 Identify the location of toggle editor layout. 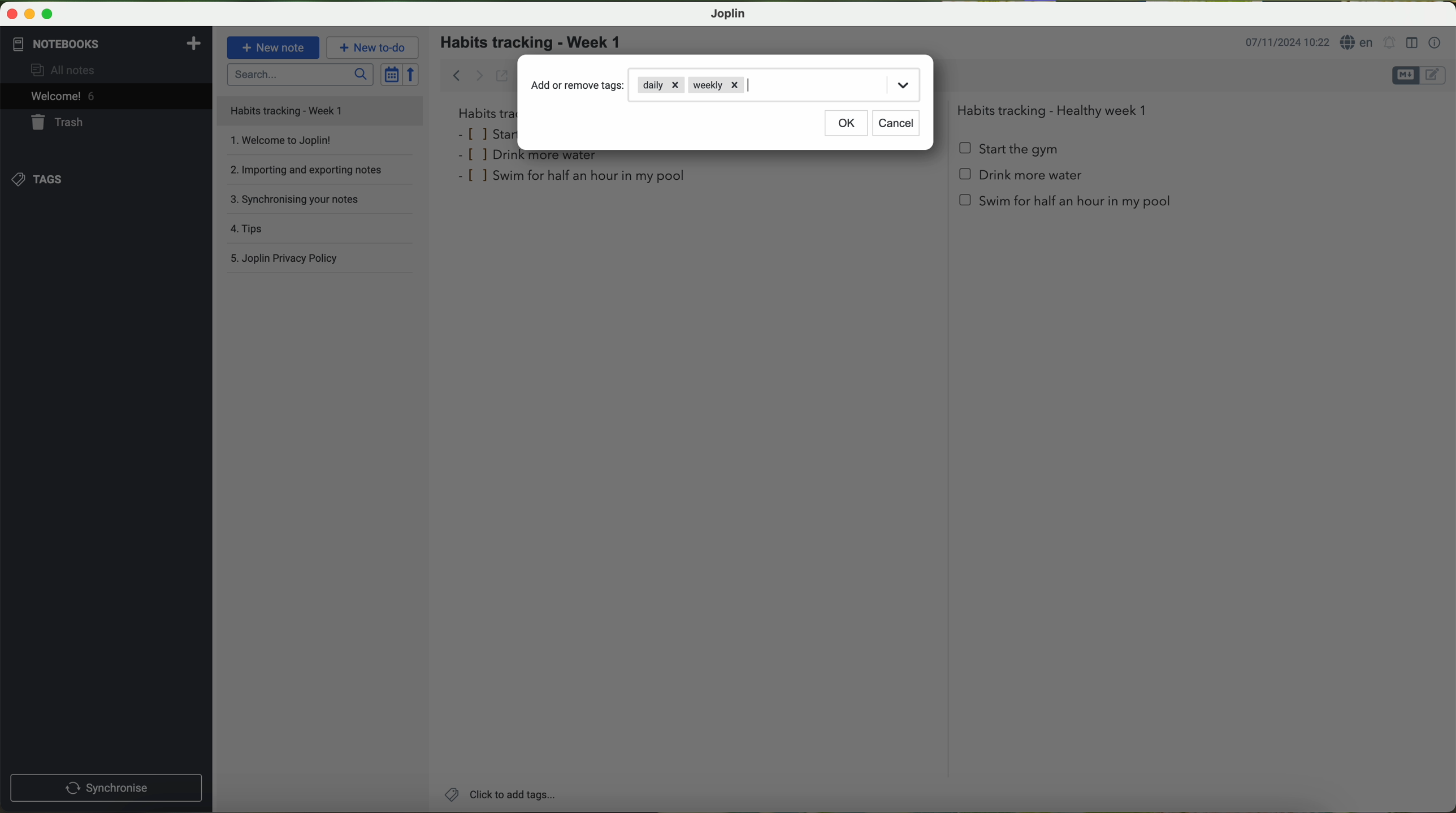
(1412, 43).